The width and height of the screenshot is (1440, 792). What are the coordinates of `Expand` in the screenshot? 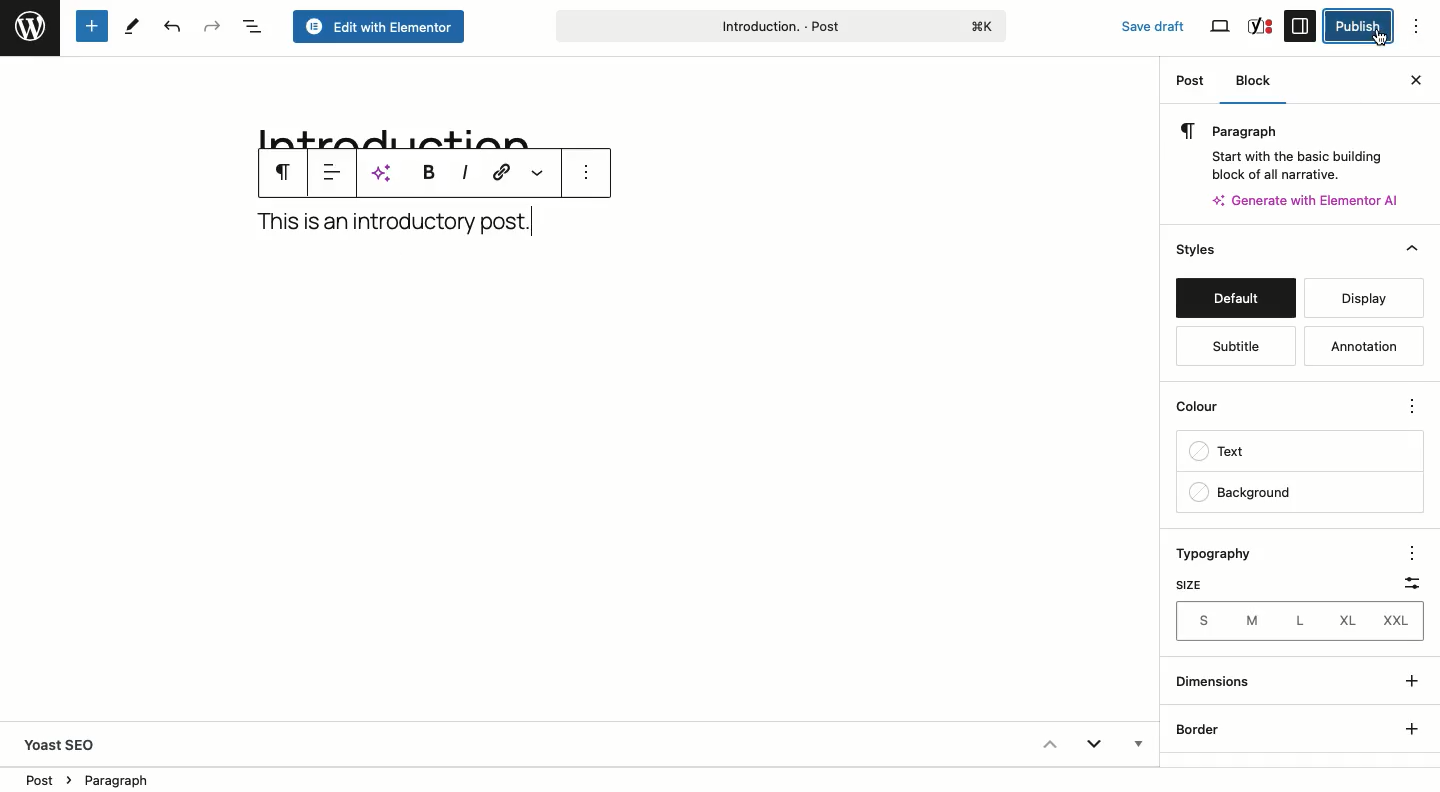 It's located at (1094, 747).